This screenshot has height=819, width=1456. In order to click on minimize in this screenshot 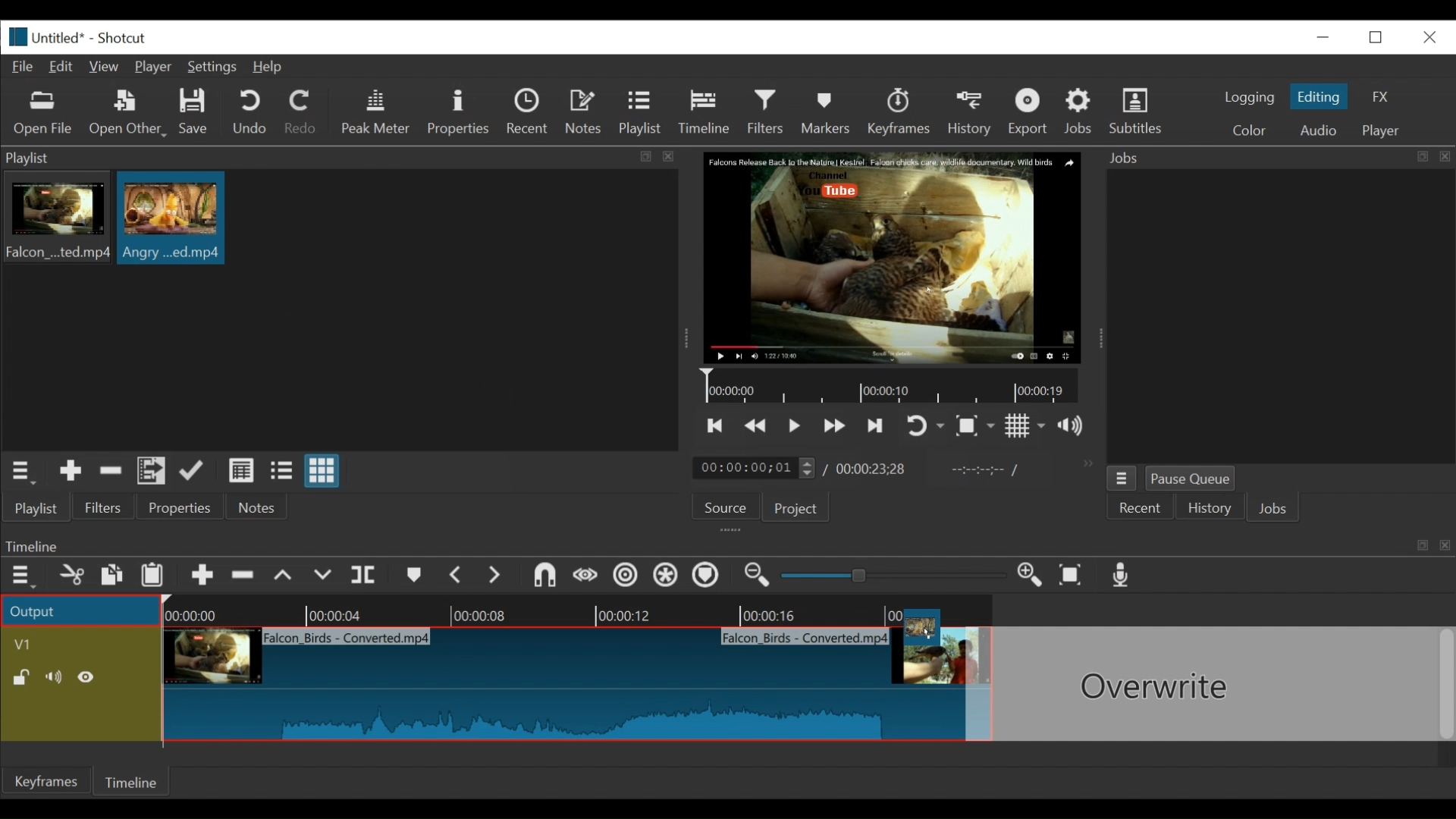, I will do `click(1323, 36)`.